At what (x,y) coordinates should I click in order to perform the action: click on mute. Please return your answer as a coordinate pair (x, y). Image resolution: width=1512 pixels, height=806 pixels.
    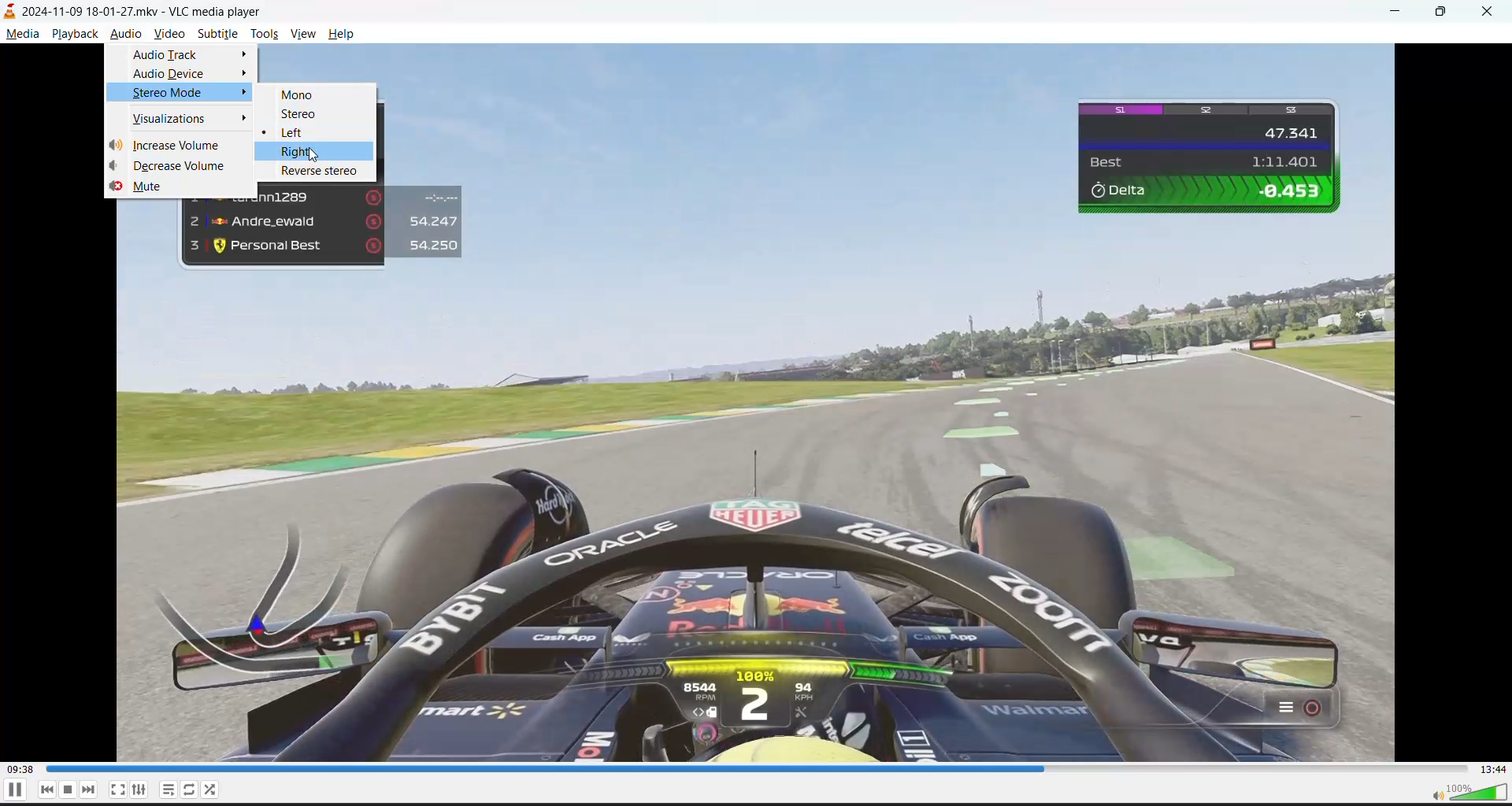
    Looking at the image, I should click on (150, 186).